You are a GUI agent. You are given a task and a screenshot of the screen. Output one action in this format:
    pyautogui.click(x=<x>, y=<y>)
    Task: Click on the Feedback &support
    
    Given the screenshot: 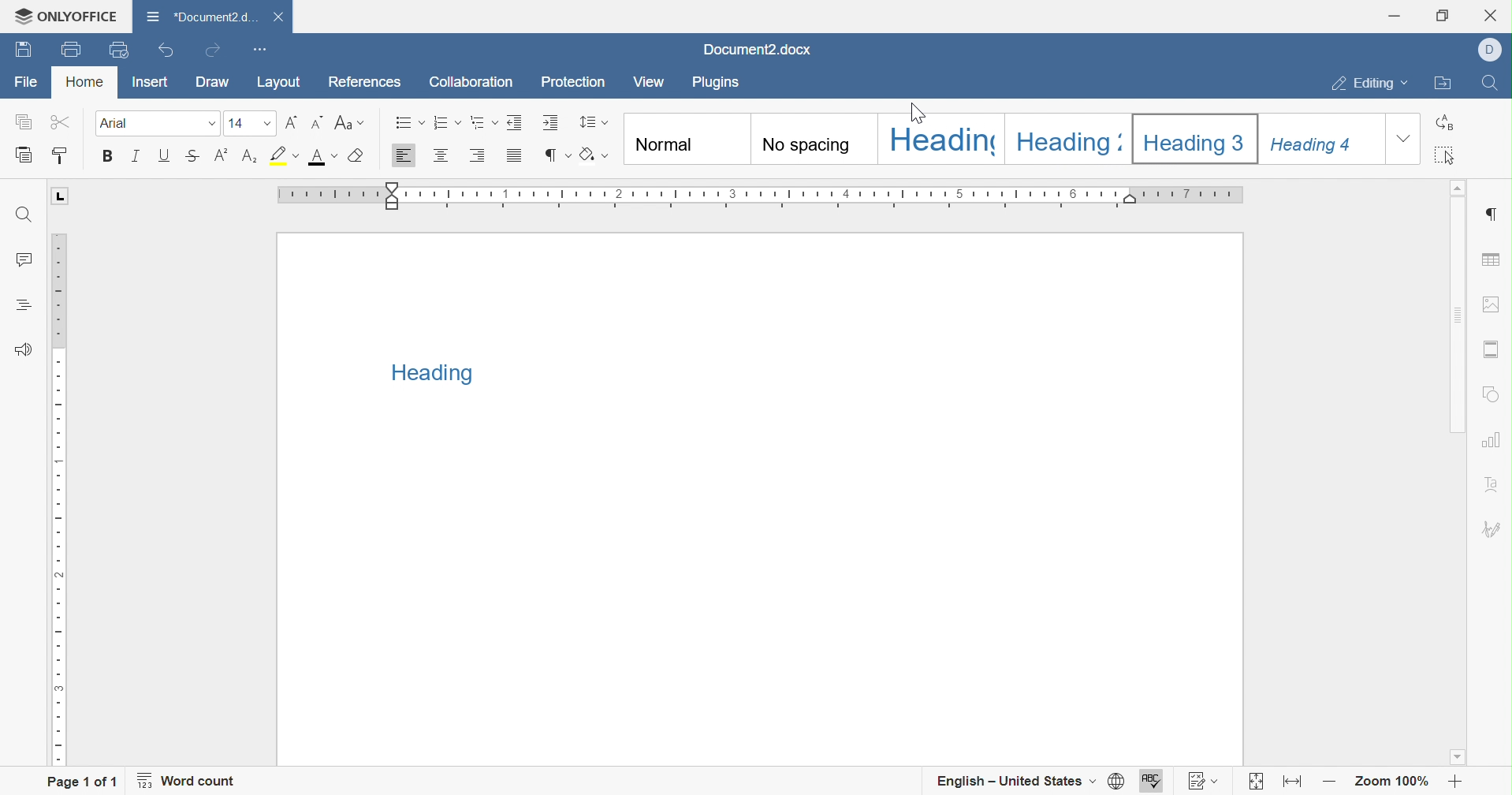 What is the action you would take?
    pyautogui.click(x=26, y=348)
    